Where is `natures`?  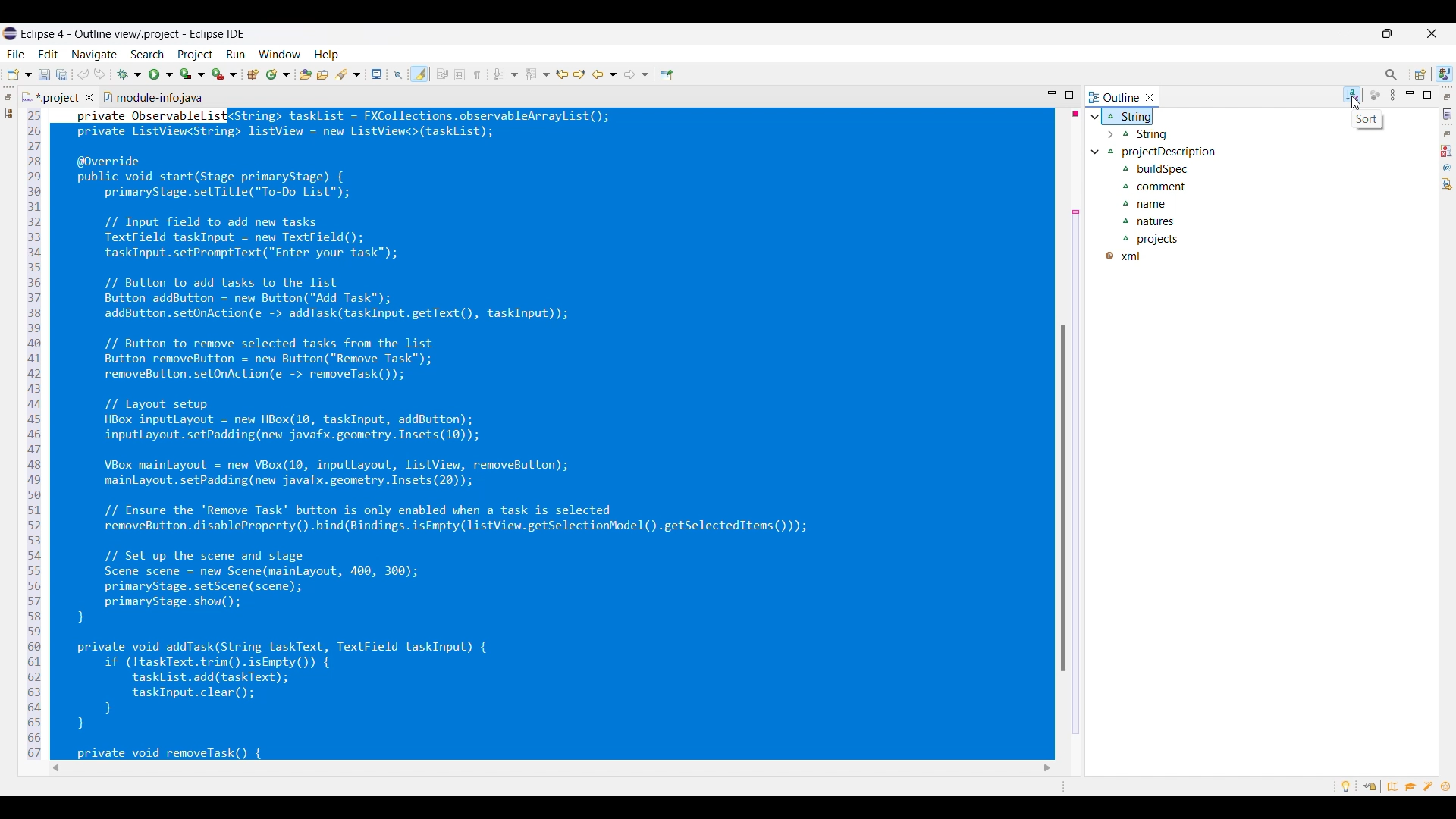 natures is located at coordinates (1154, 222).